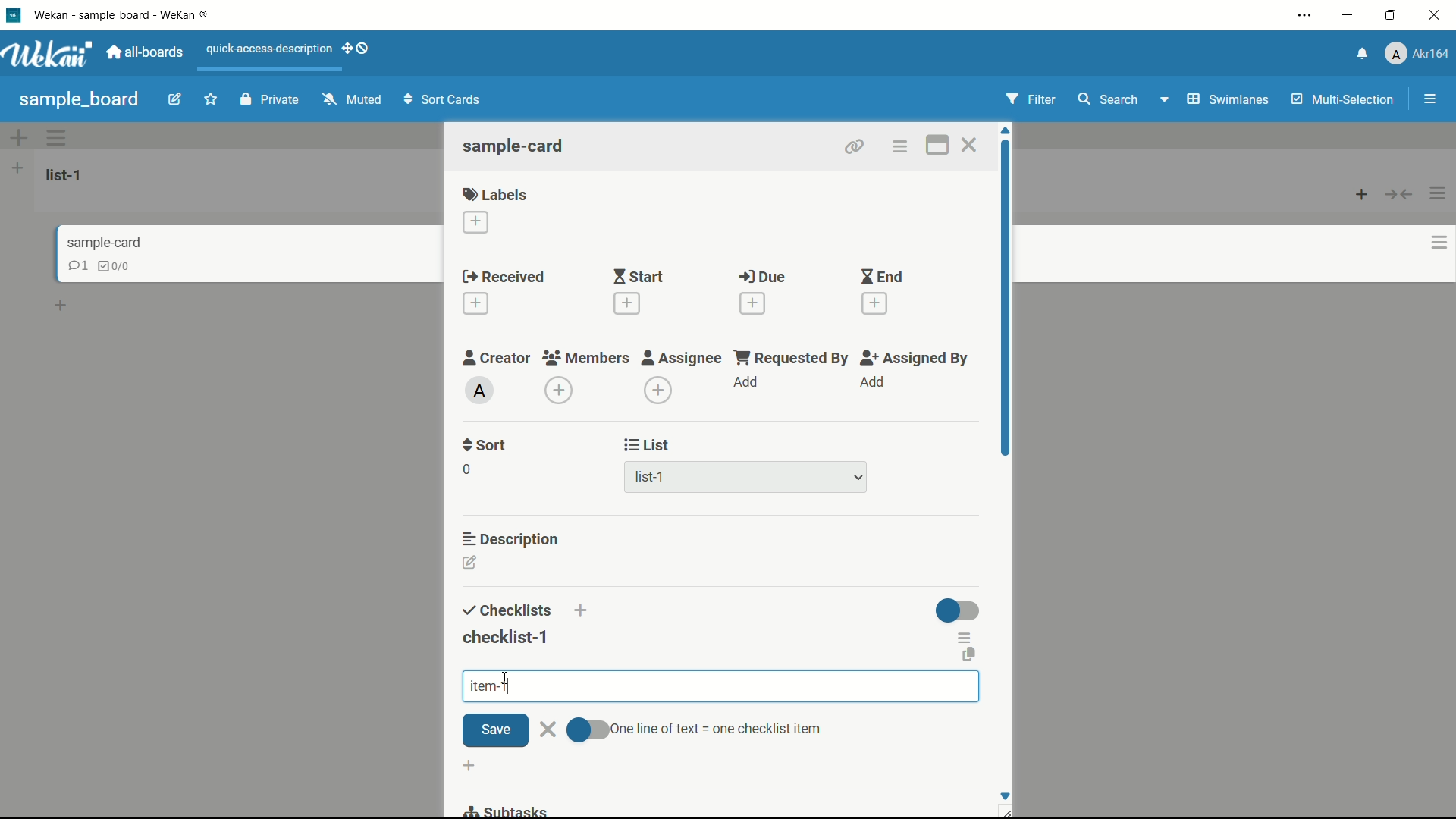 The width and height of the screenshot is (1456, 819). Describe the element at coordinates (476, 304) in the screenshot. I see `add date` at that location.